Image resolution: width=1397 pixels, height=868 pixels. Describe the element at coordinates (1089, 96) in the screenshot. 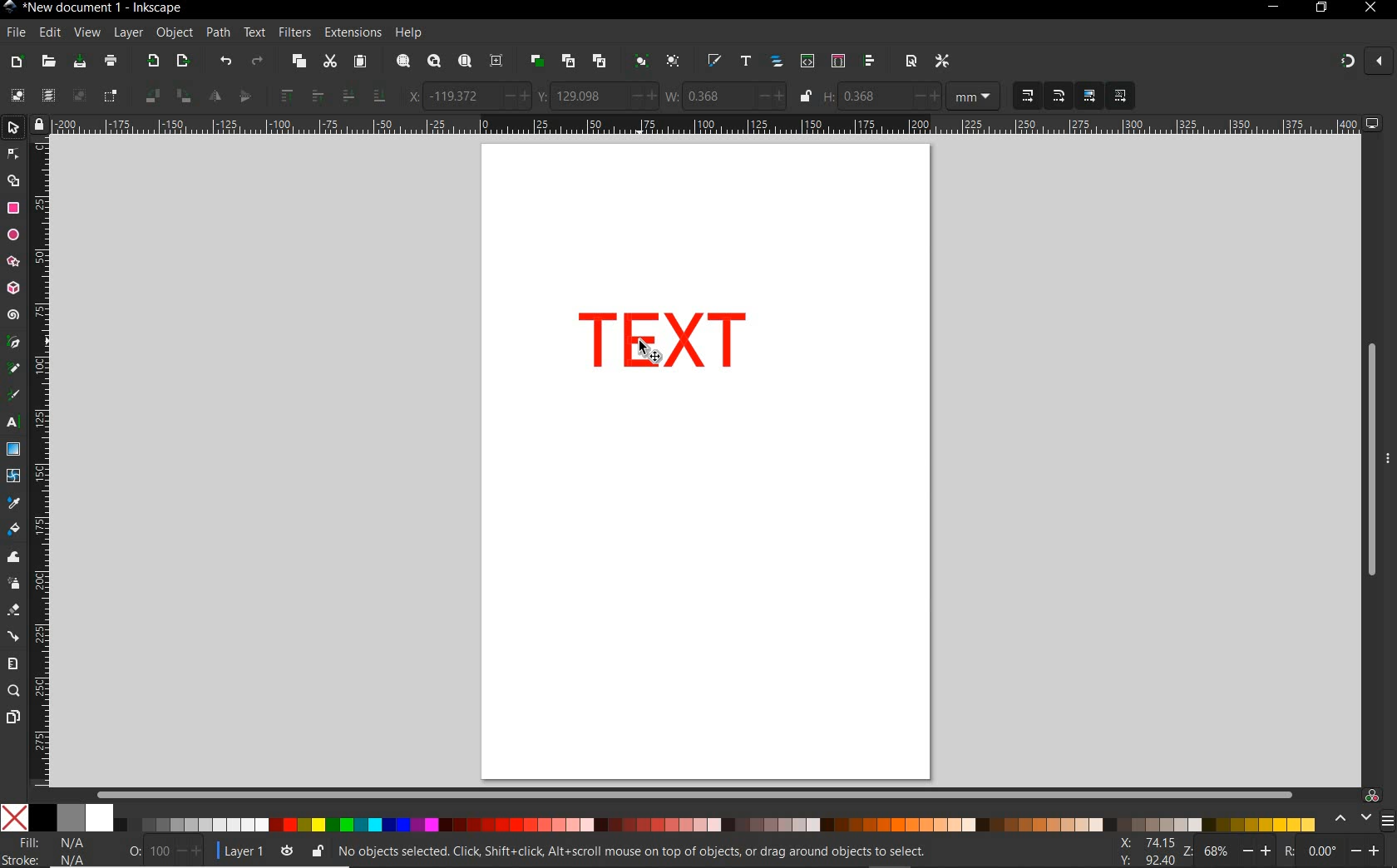

I see `MOVE GRADIENTS` at that location.